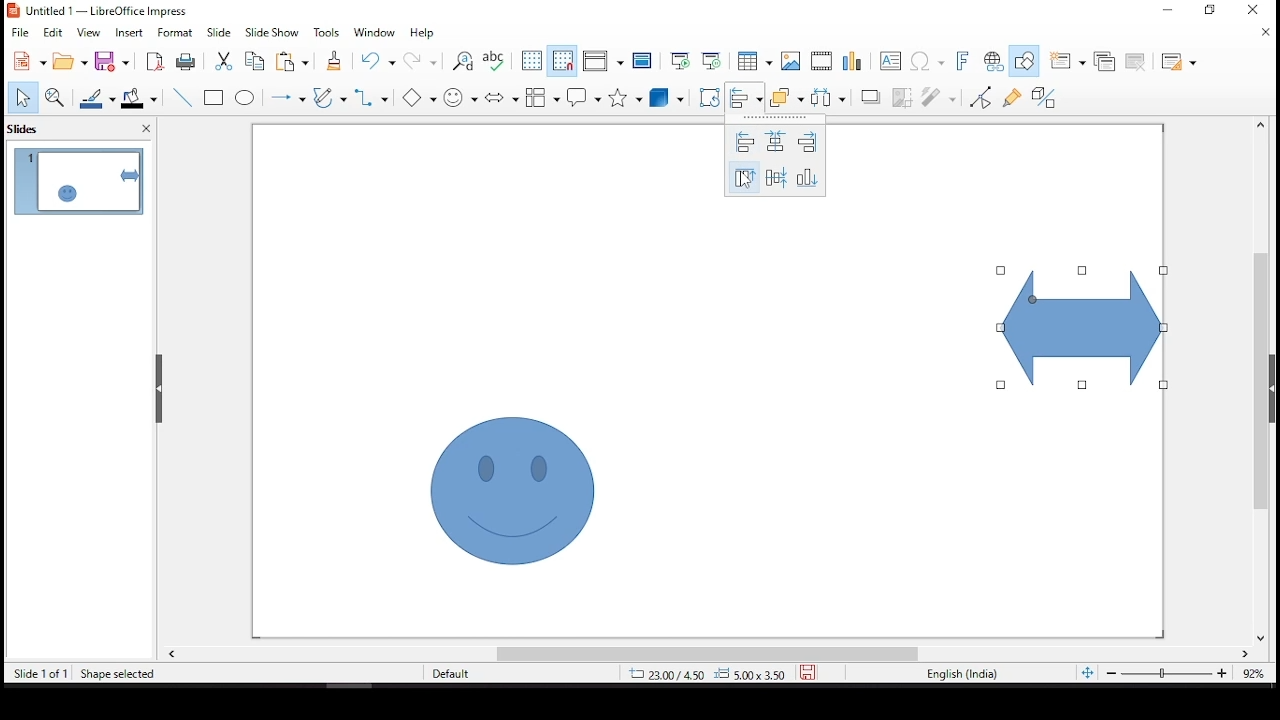 The image size is (1280, 720). Describe the element at coordinates (90, 33) in the screenshot. I see `view` at that location.